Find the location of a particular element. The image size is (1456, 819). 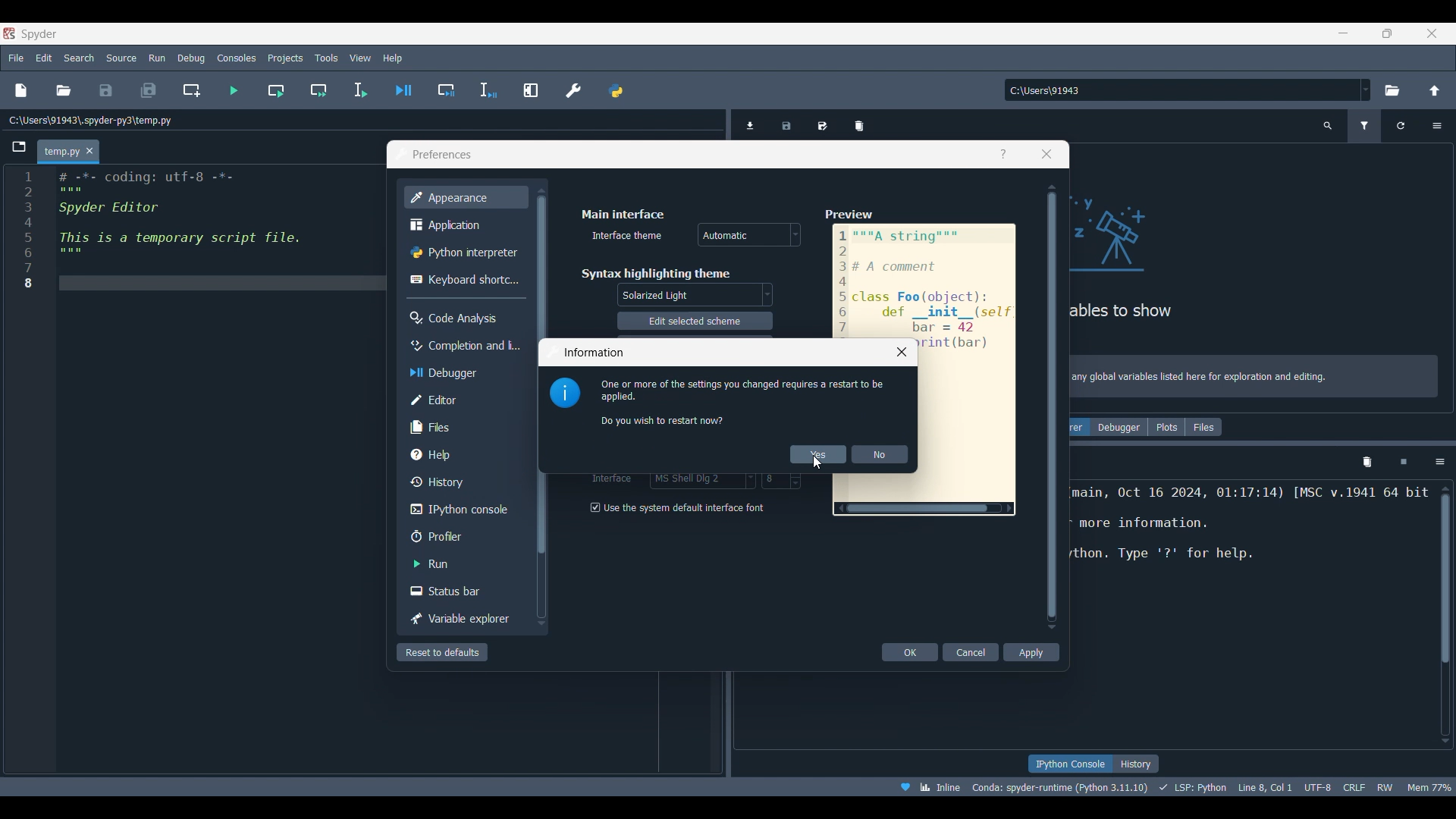

Software logo is located at coordinates (9, 33).